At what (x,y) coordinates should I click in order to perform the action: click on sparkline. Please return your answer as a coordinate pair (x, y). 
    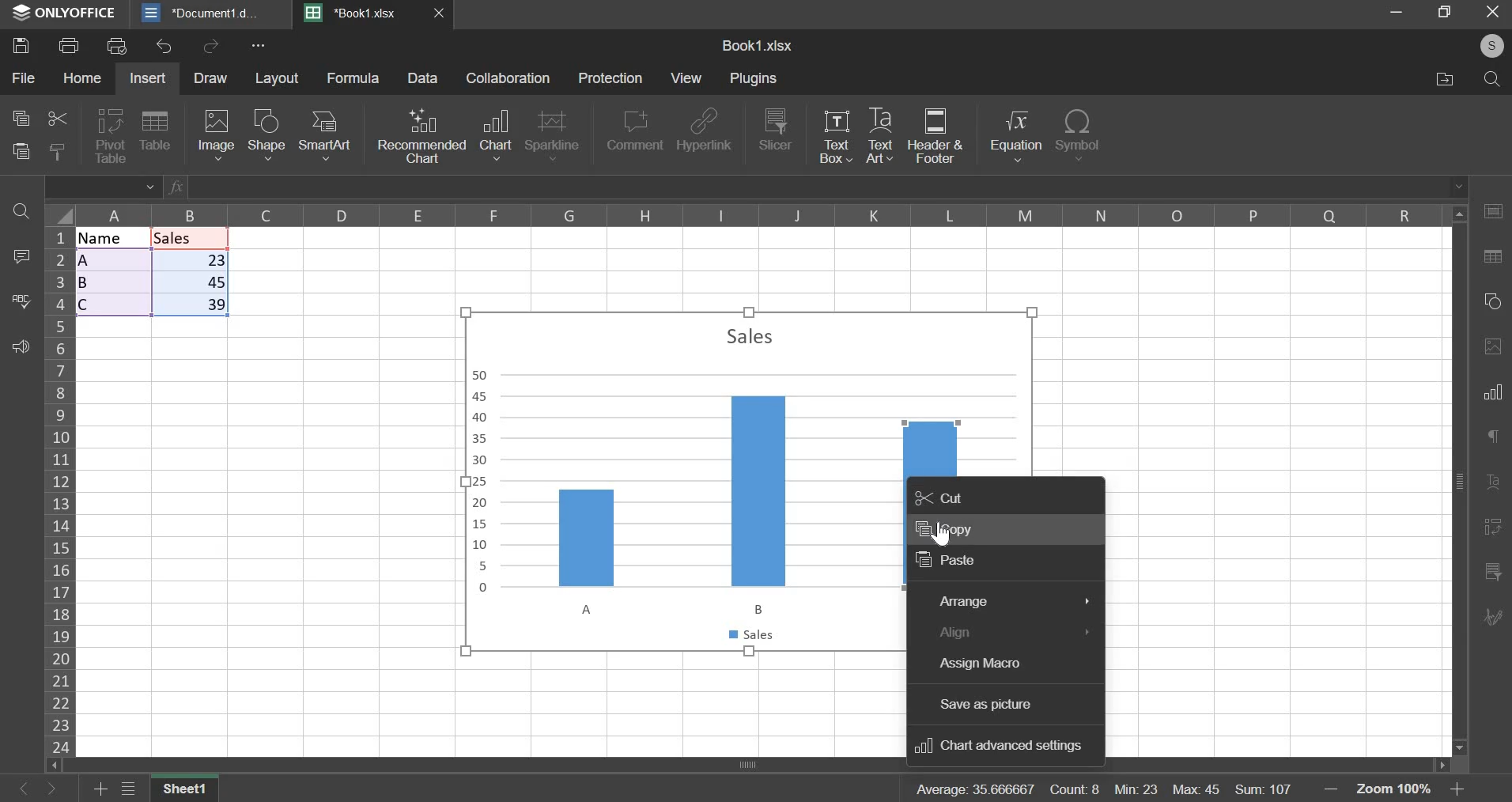
    Looking at the image, I should click on (553, 136).